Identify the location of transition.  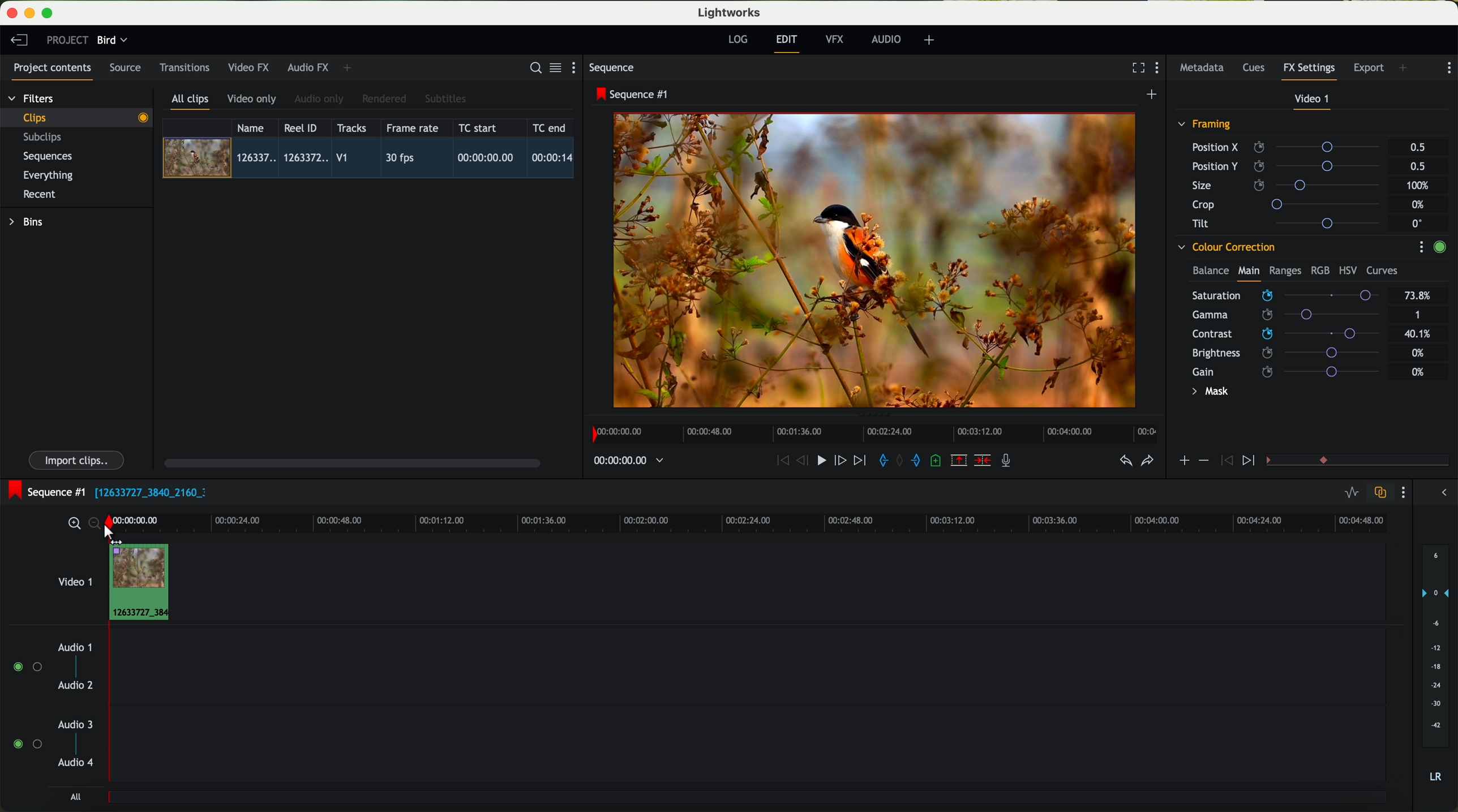
(1374, 461).